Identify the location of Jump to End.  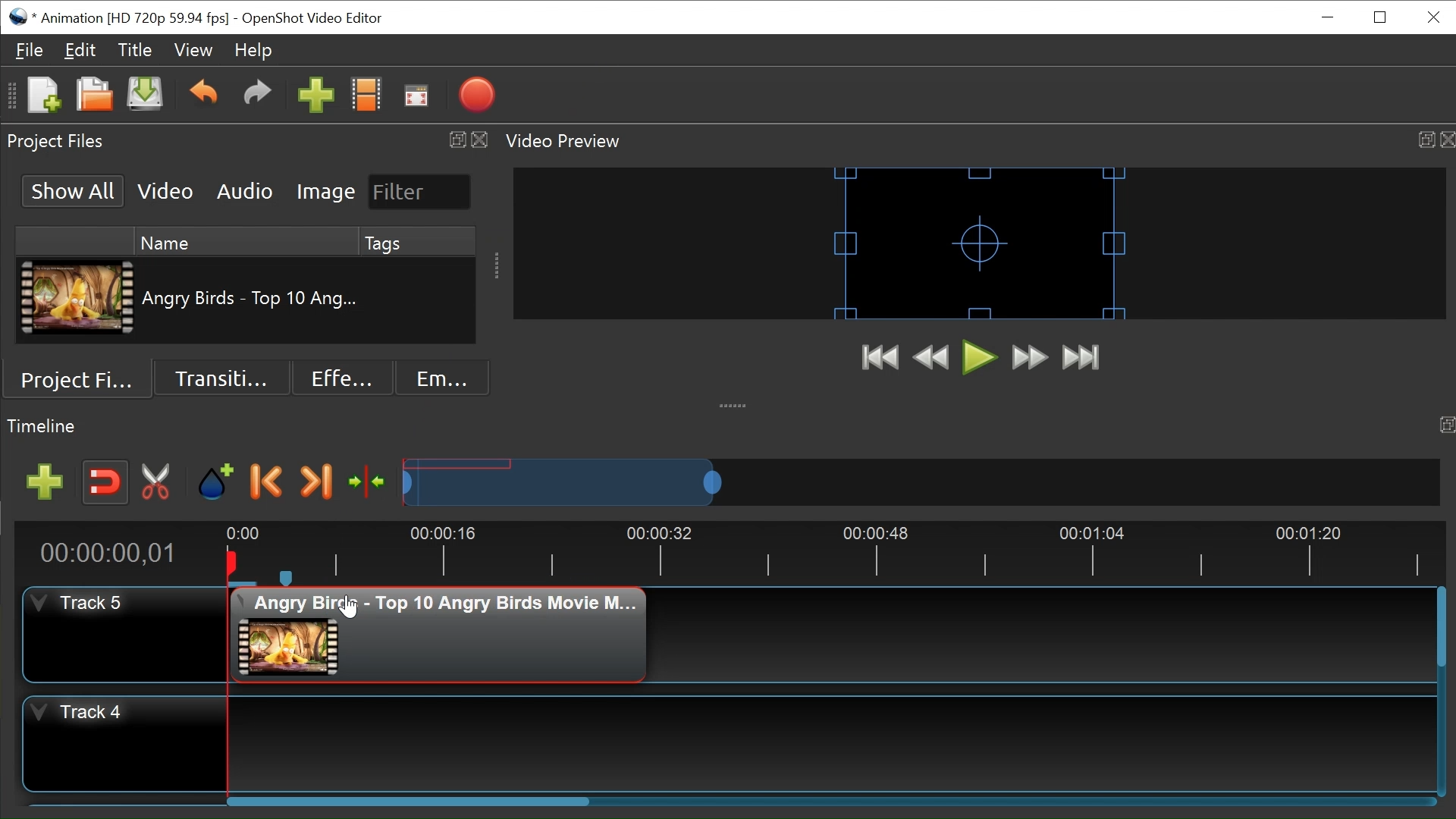
(1081, 356).